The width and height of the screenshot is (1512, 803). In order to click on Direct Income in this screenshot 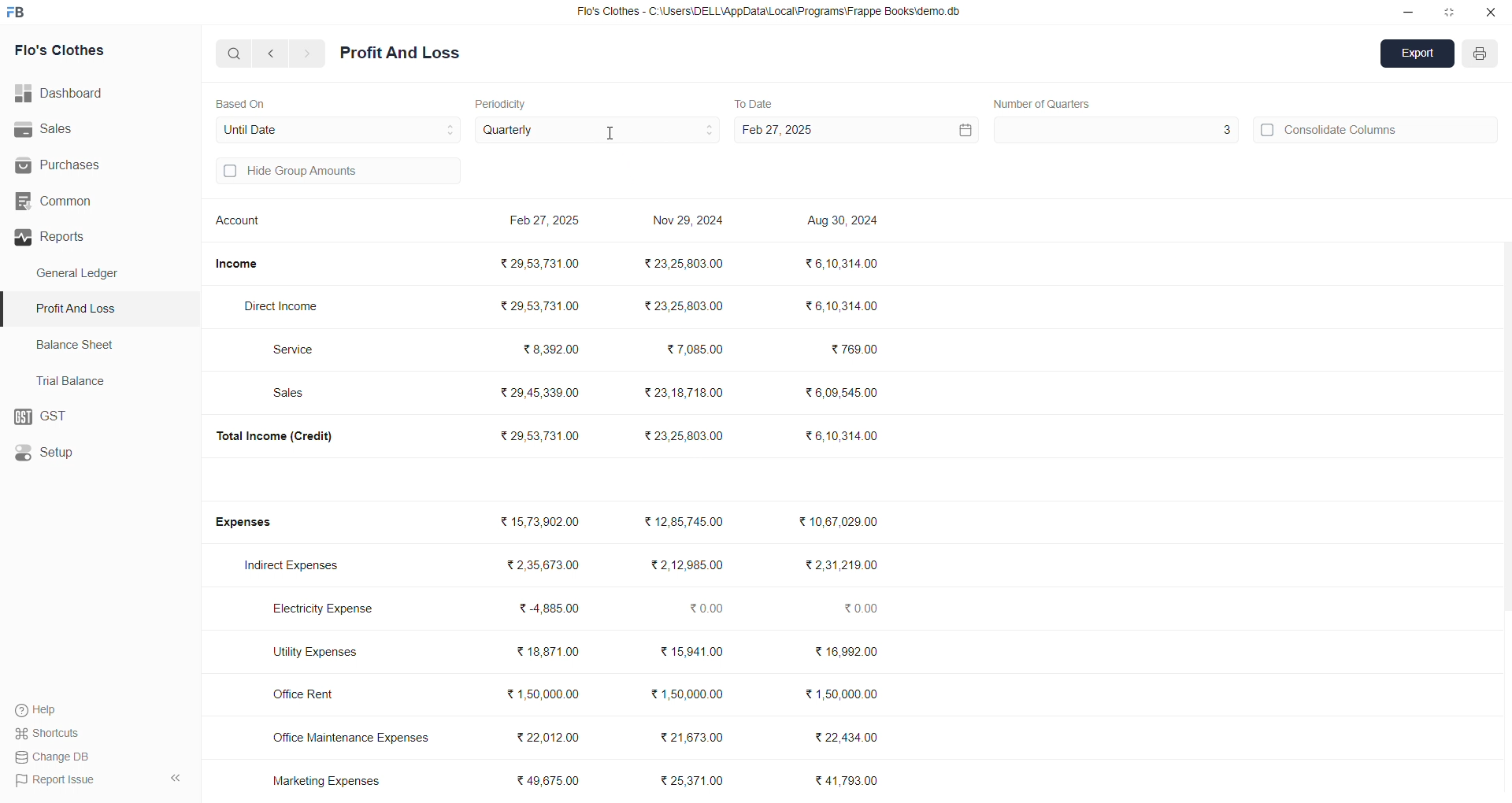, I will do `click(289, 307)`.